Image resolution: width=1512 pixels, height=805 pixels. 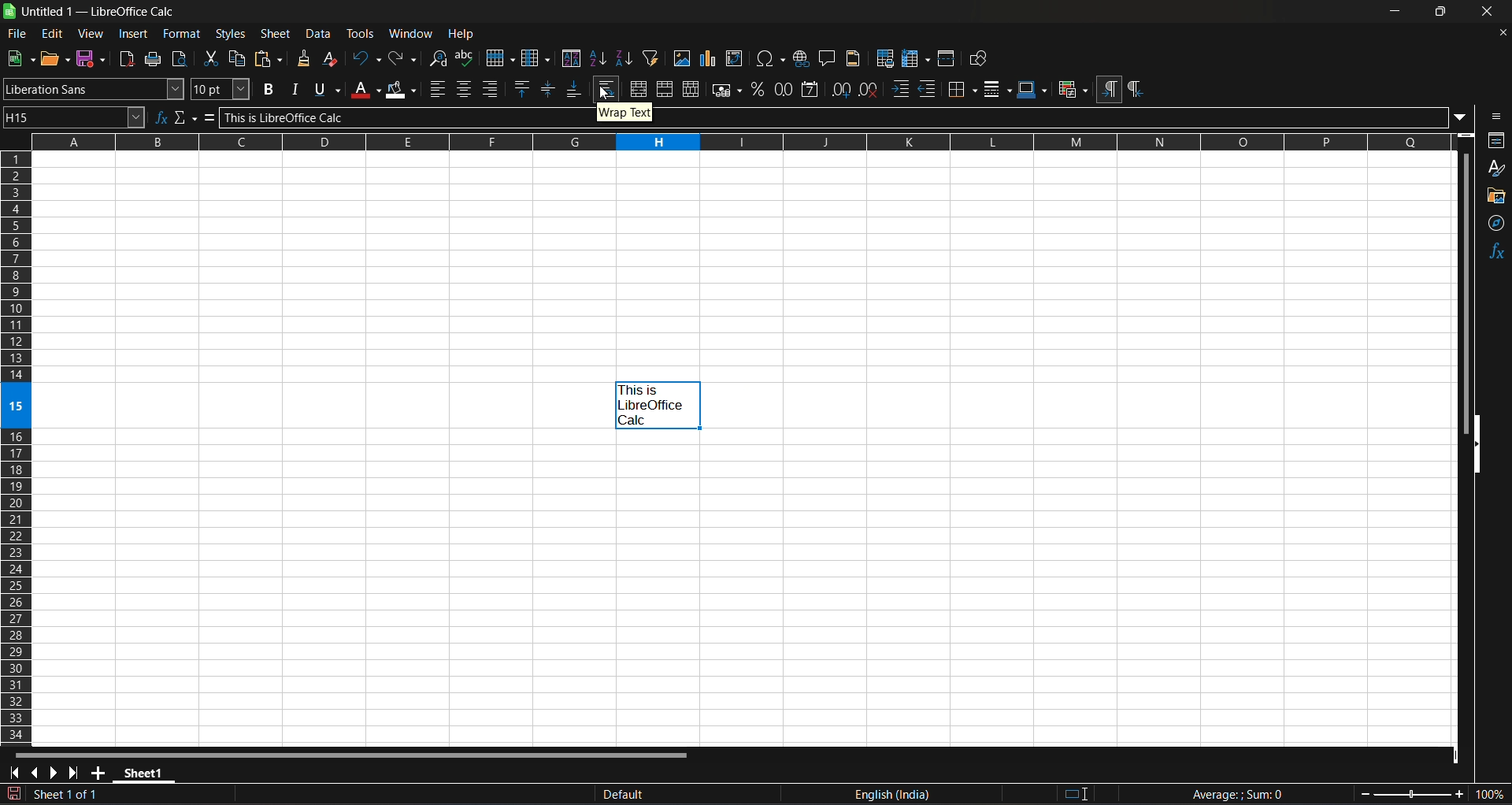 I want to click on file, so click(x=19, y=34).